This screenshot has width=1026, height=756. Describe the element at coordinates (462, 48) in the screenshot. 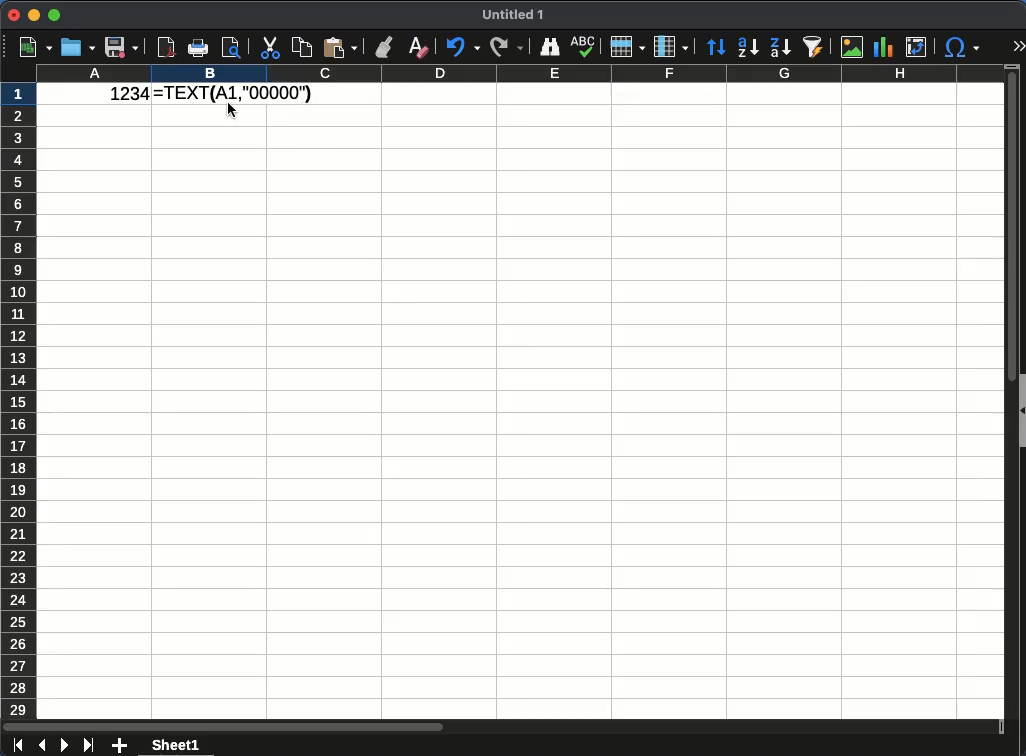

I see `undo` at that location.